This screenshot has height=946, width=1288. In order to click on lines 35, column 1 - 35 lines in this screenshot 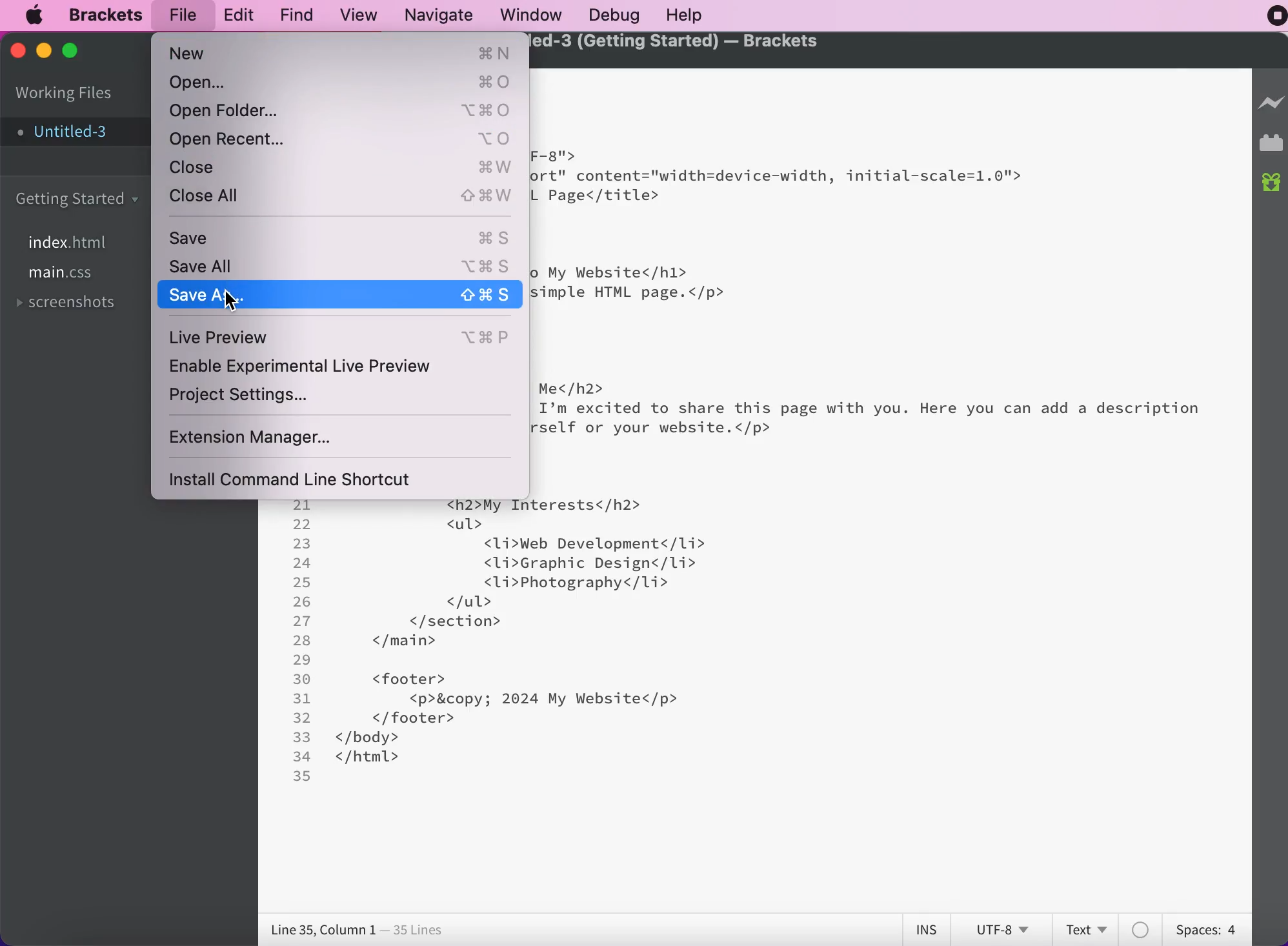, I will do `click(356, 931)`.